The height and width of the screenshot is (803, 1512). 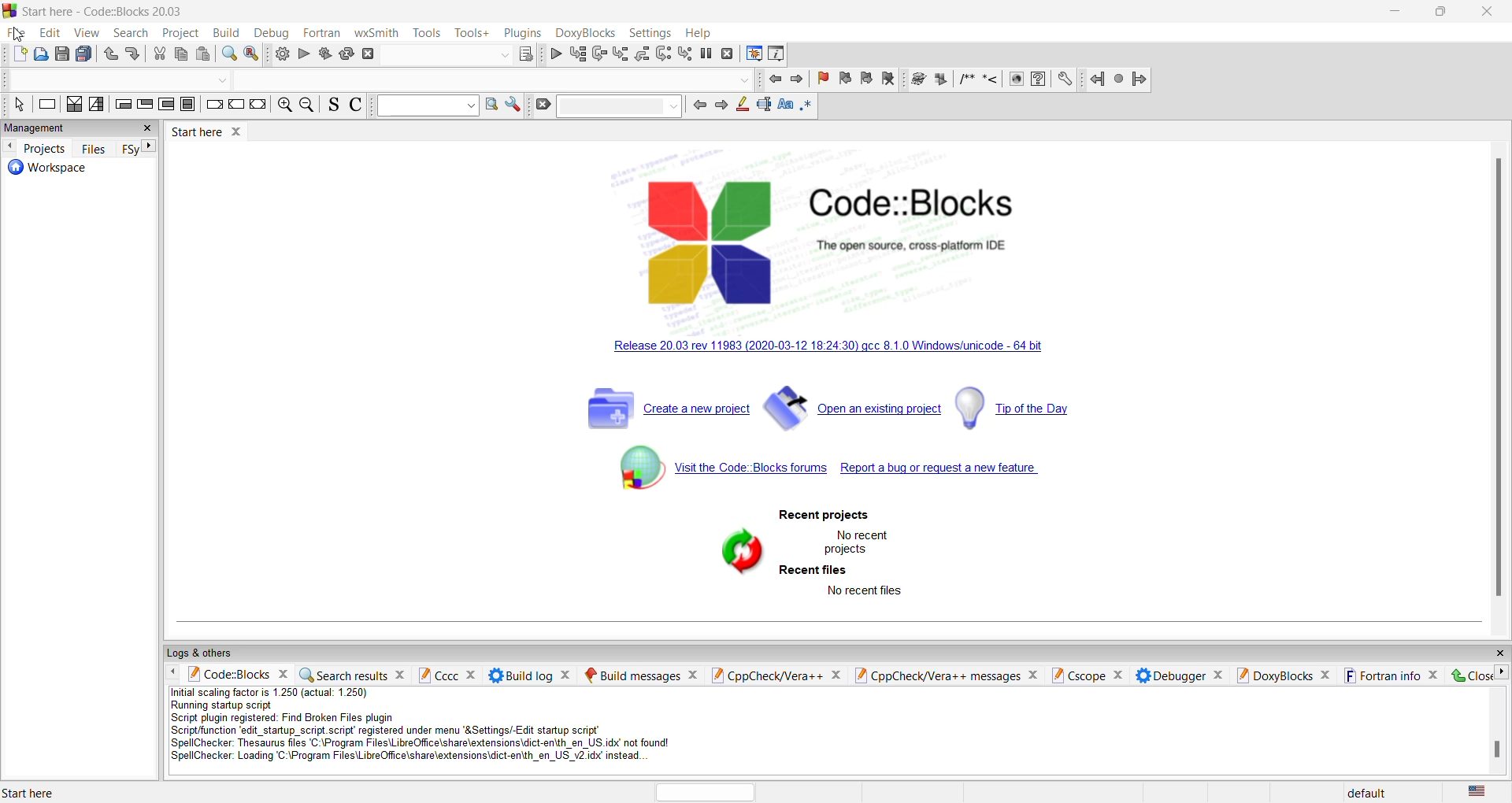 What do you see at coordinates (146, 129) in the screenshot?
I see `close management tab` at bounding box center [146, 129].